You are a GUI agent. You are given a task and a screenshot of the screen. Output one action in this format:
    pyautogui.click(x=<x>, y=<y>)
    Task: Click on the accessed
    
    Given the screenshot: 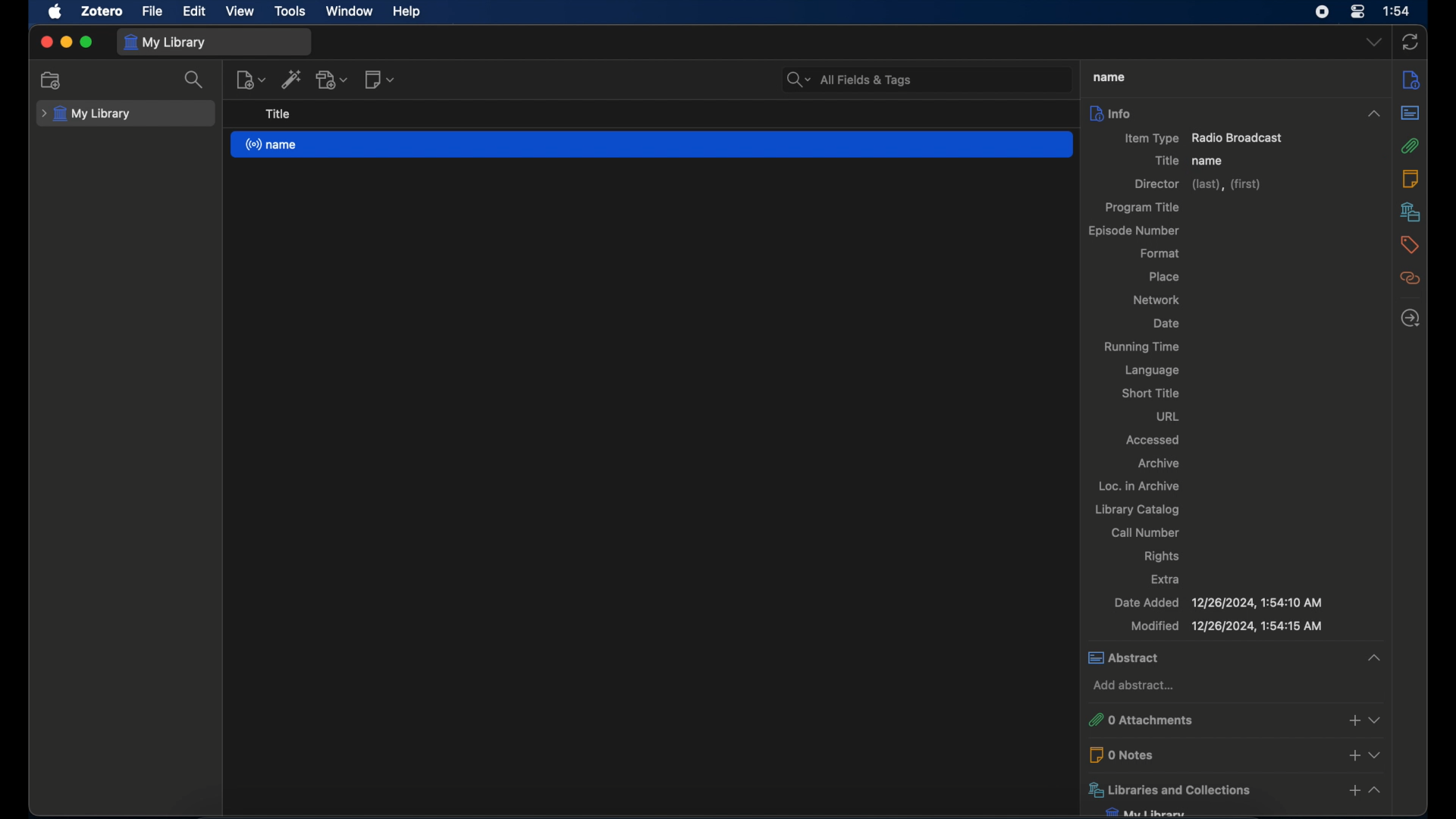 What is the action you would take?
    pyautogui.click(x=1153, y=440)
    